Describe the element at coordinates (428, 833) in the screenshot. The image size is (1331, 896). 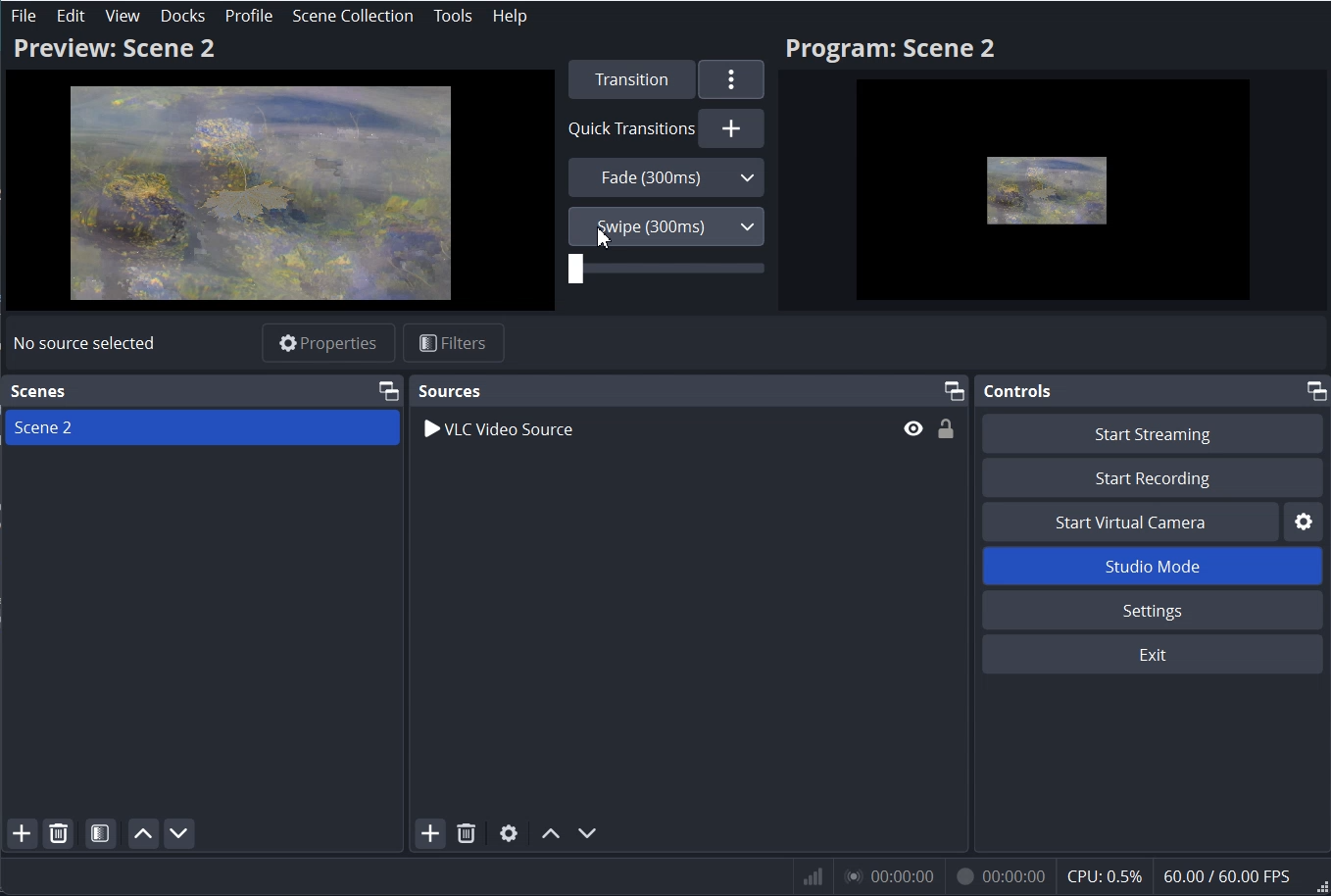
I see `Add Source` at that location.